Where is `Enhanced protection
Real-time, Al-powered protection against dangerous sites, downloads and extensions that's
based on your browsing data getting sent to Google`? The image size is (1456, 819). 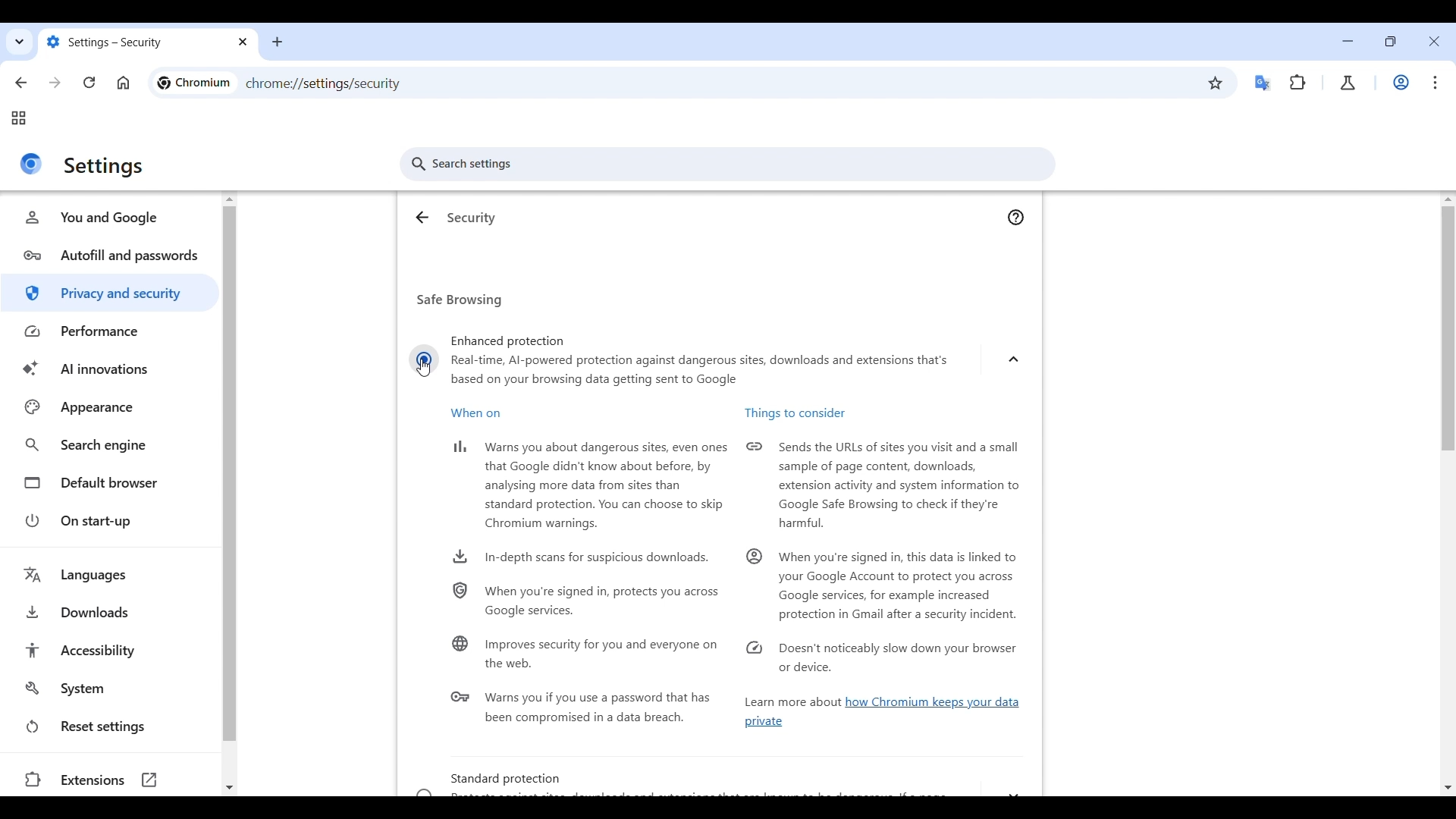 Enhanced protection
Real-time, Al-powered protection against dangerous sites, downloads and extensions that's
based on your browsing data getting sent to Google is located at coordinates (707, 355).